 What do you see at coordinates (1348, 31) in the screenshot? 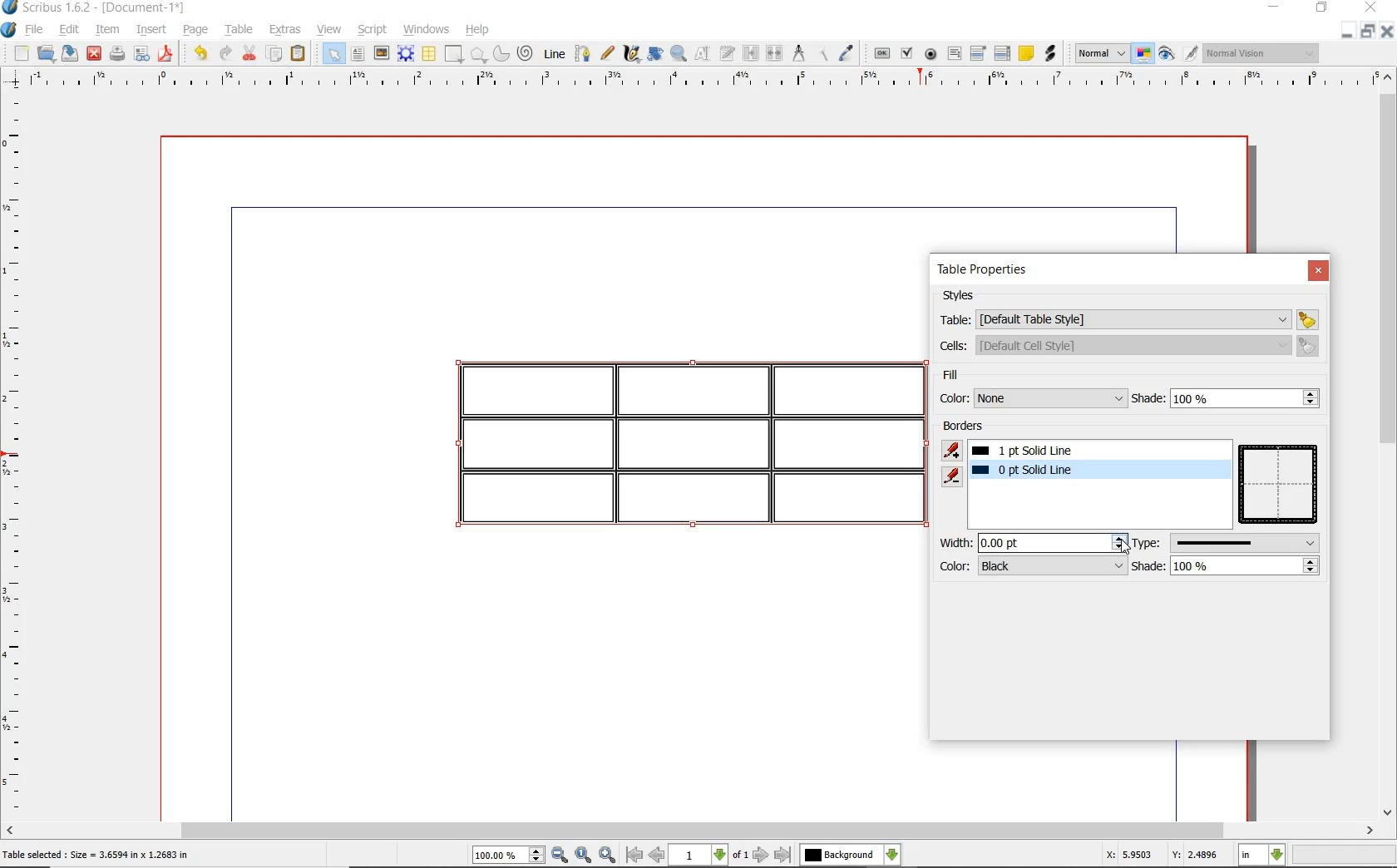
I see `MINIMIZE` at bounding box center [1348, 31].